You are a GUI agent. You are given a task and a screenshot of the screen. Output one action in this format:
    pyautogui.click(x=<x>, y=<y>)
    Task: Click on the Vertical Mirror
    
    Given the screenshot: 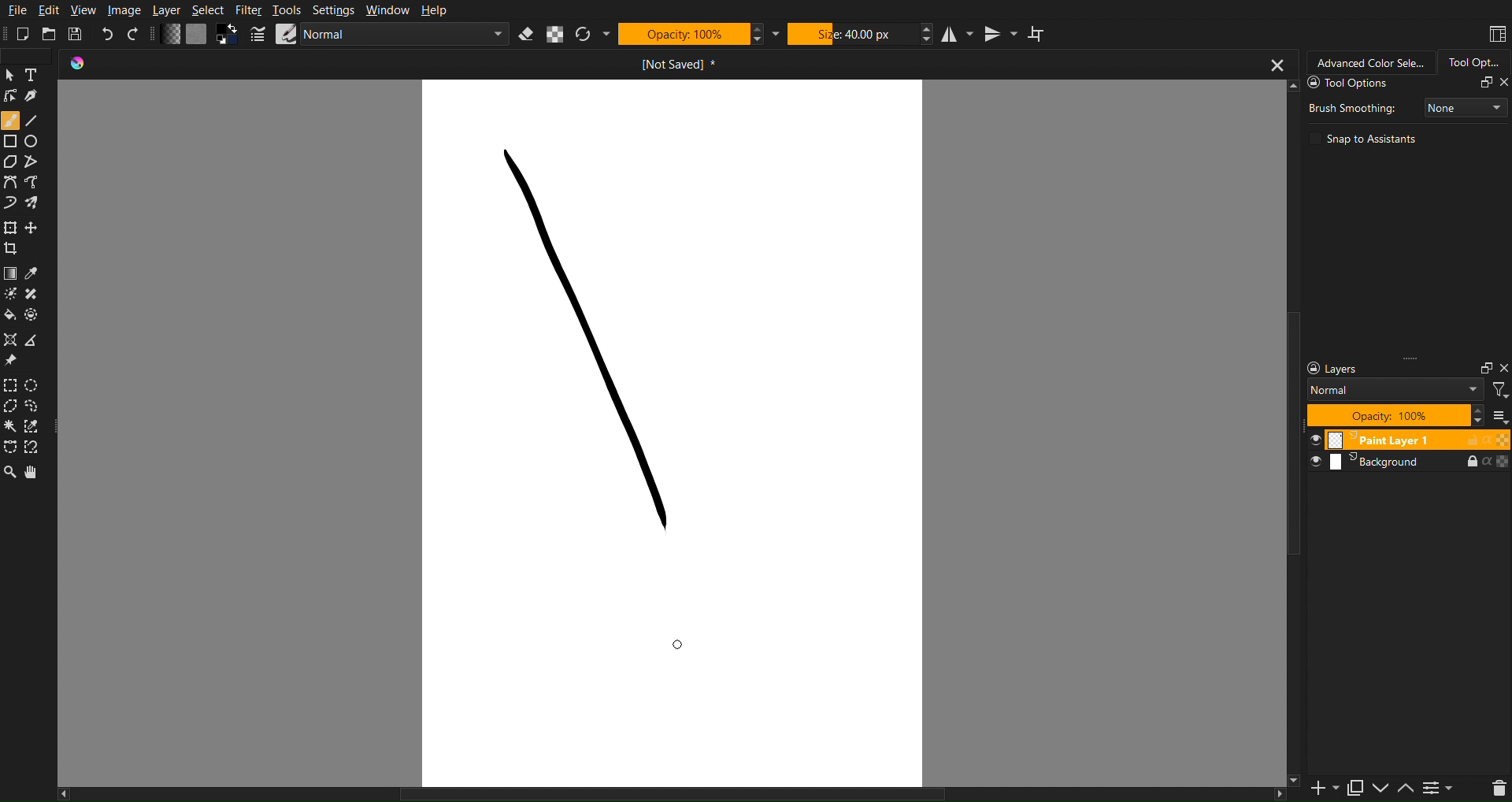 What is the action you would take?
    pyautogui.click(x=1000, y=34)
    